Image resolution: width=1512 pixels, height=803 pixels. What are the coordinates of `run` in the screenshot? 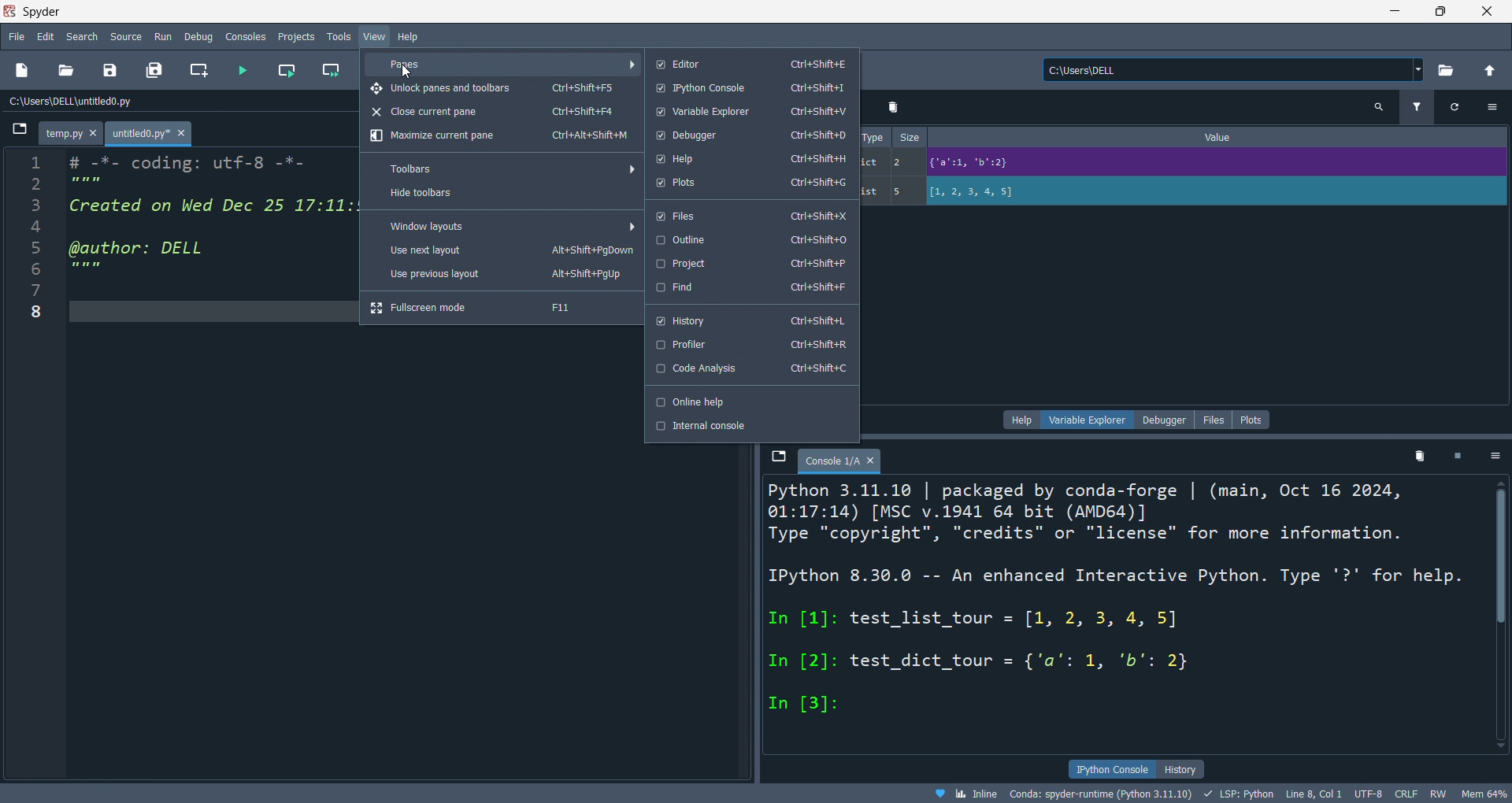 It's located at (165, 37).